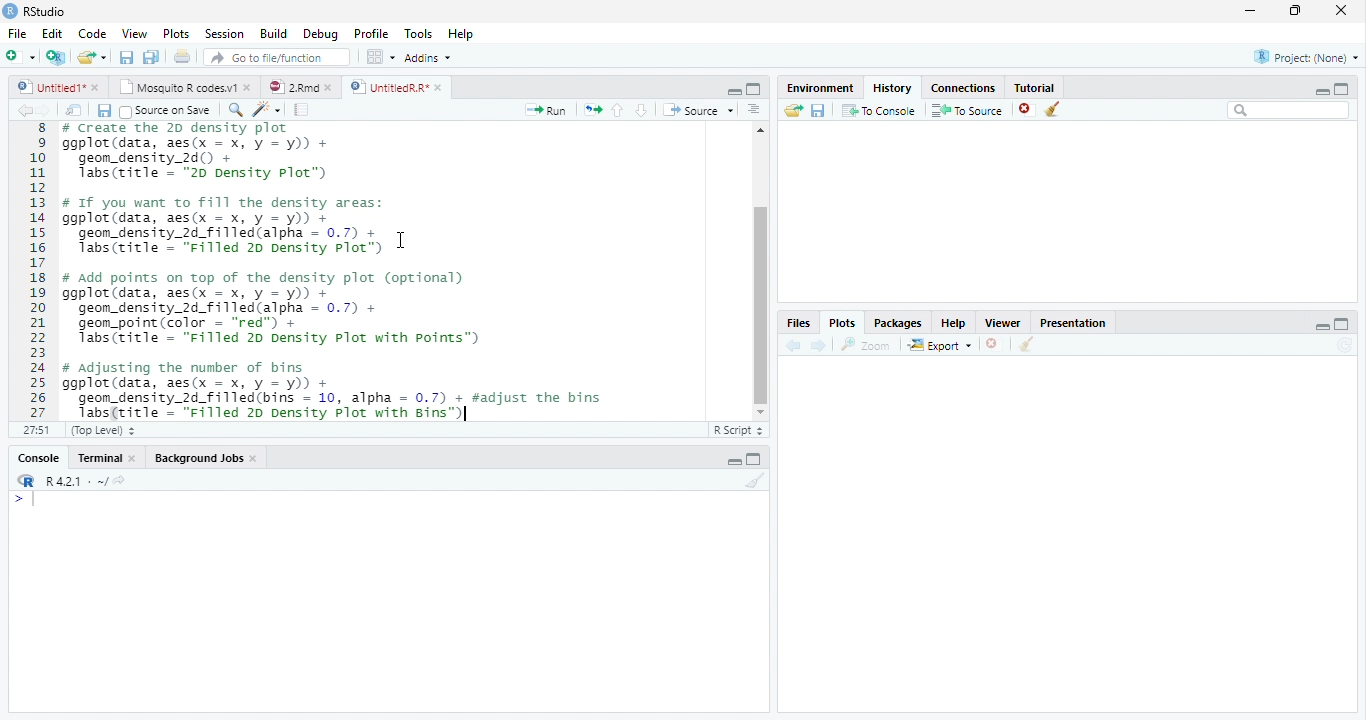 This screenshot has width=1366, height=720. What do you see at coordinates (1348, 345) in the screenshot?
I see `Refresh` at bounding box center [1348, 345].